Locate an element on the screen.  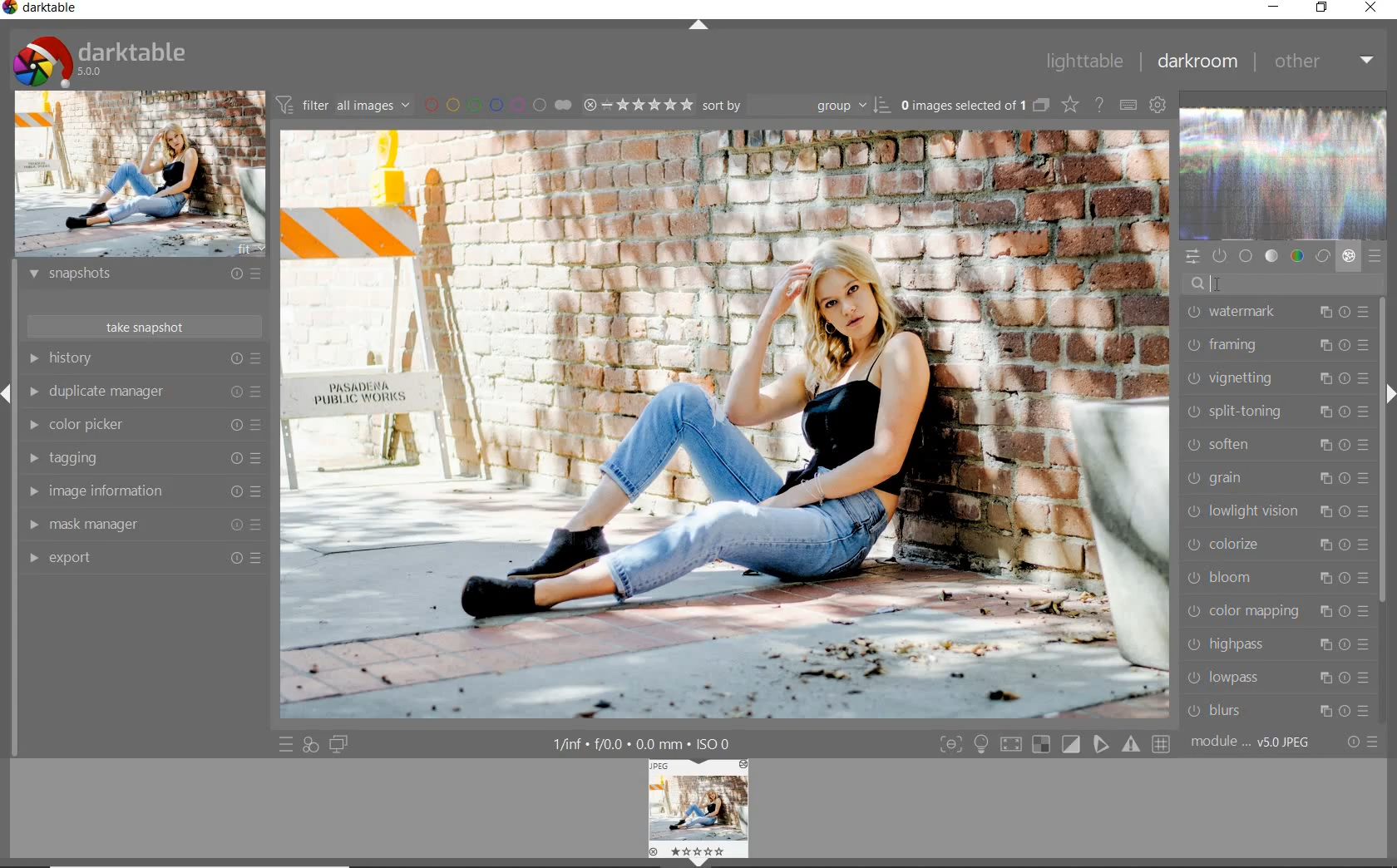
split-toning is located at coordinates (1277, 412).